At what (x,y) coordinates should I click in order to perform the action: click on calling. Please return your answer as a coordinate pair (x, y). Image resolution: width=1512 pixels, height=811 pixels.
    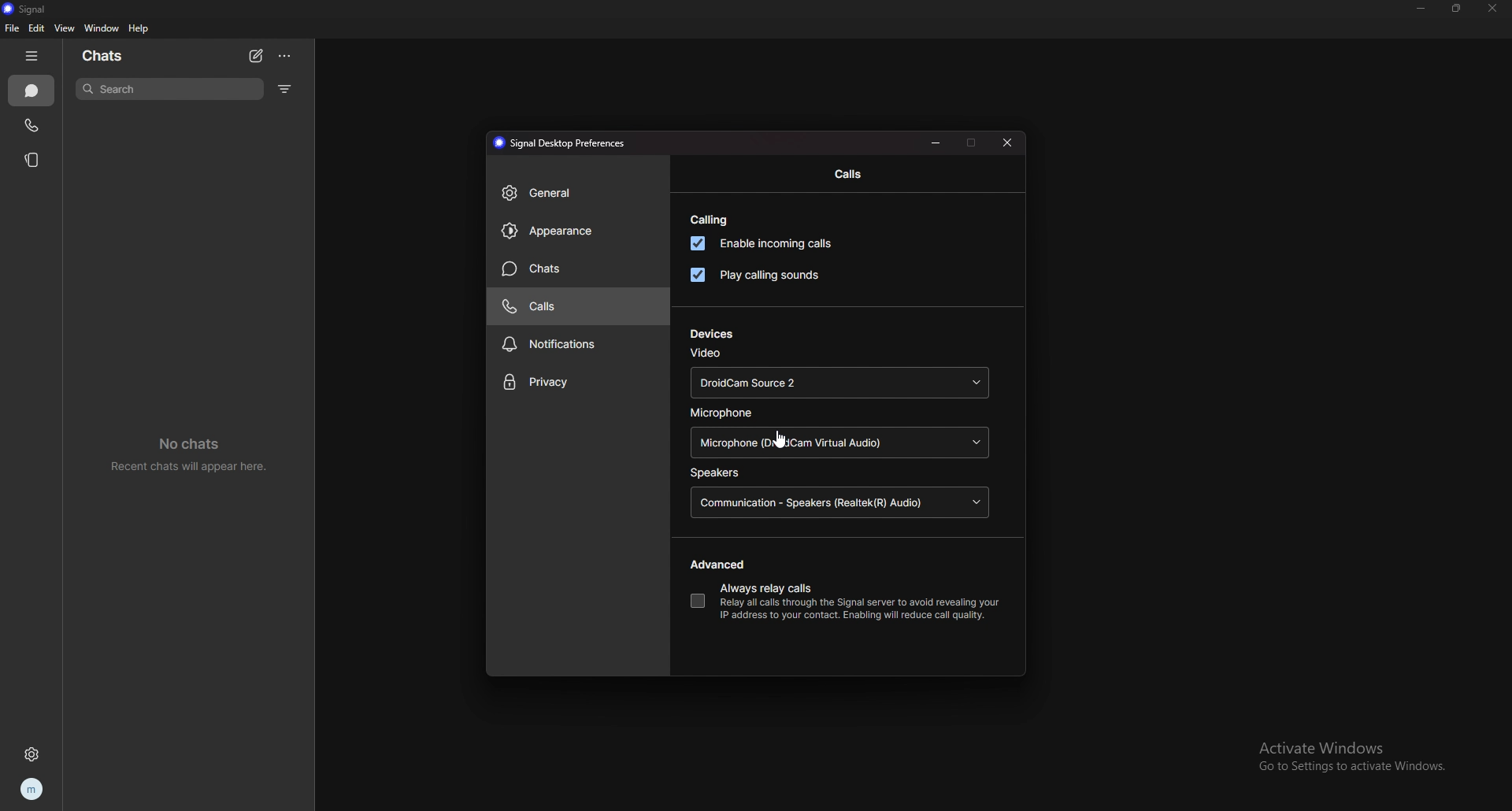
    Looking at the image, I should click on (710, 220).